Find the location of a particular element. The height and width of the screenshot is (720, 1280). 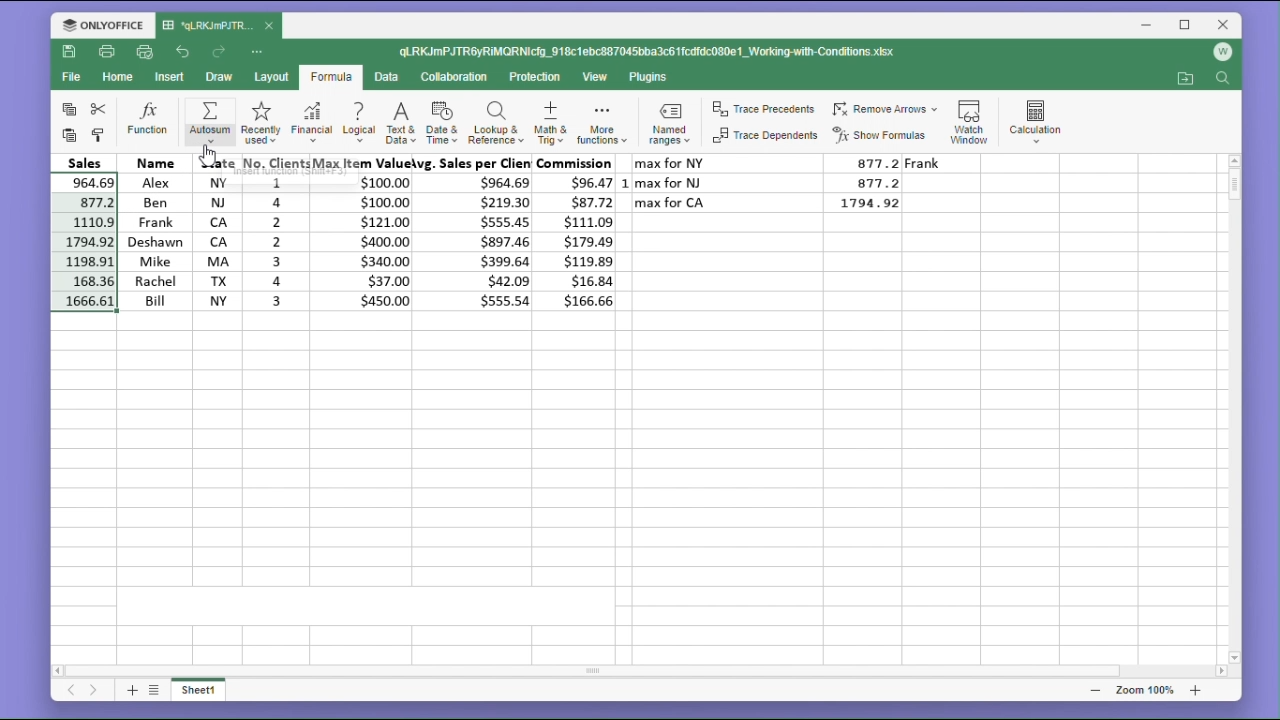

customize quick access toolbar is located at coordinates (264, 51).